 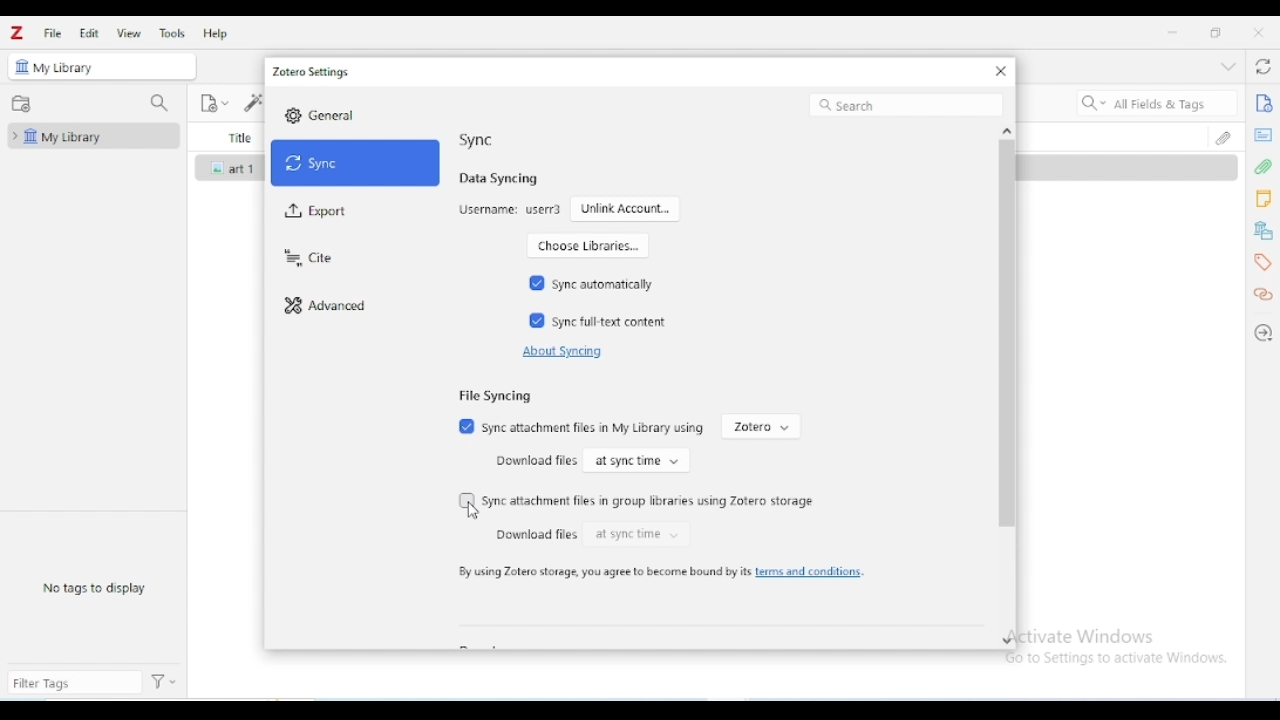 I want to click on my library, so click(x=91, y=136).